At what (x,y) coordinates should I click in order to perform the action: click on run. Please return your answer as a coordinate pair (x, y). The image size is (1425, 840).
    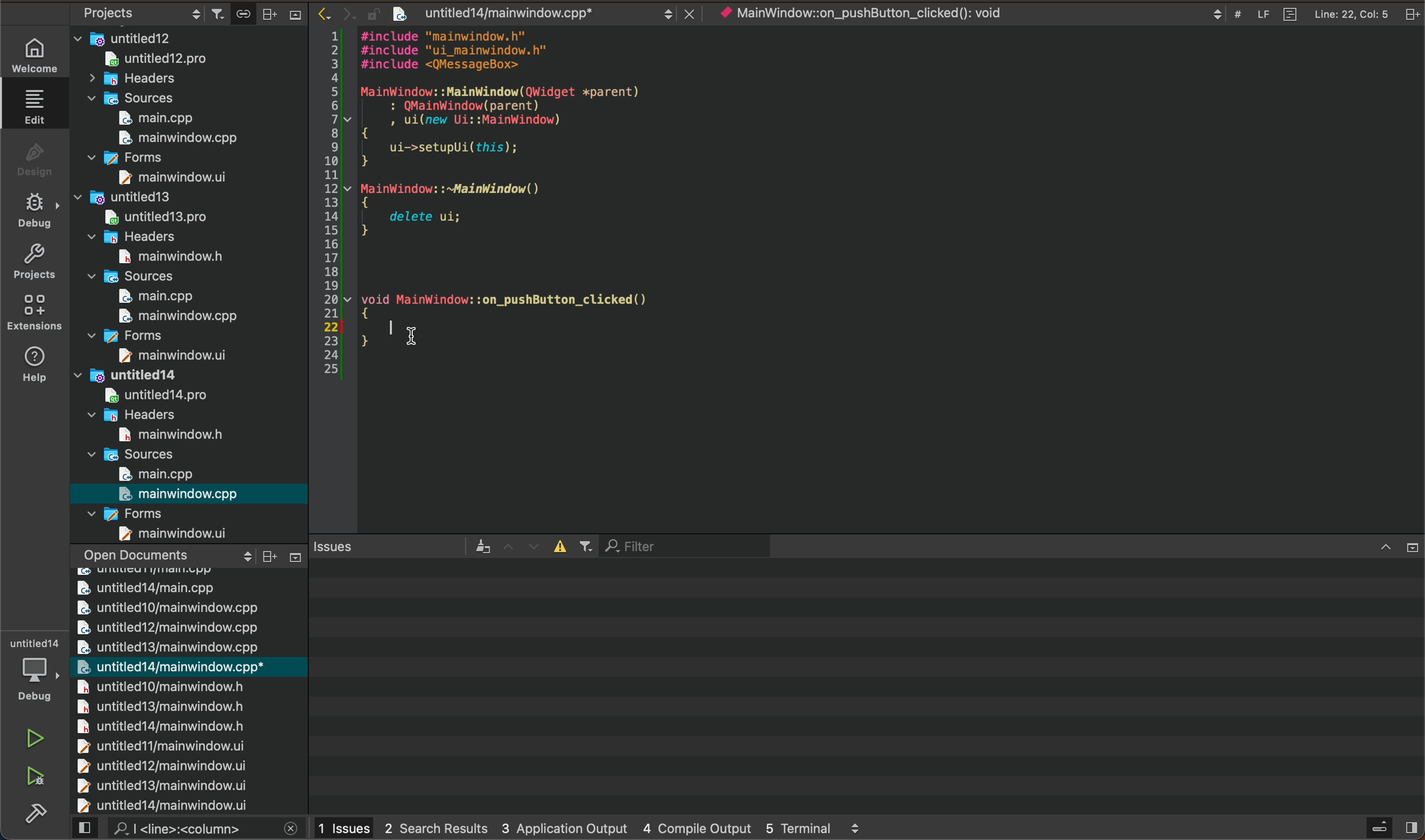
    Looking at the image, I should click on (33, 738).